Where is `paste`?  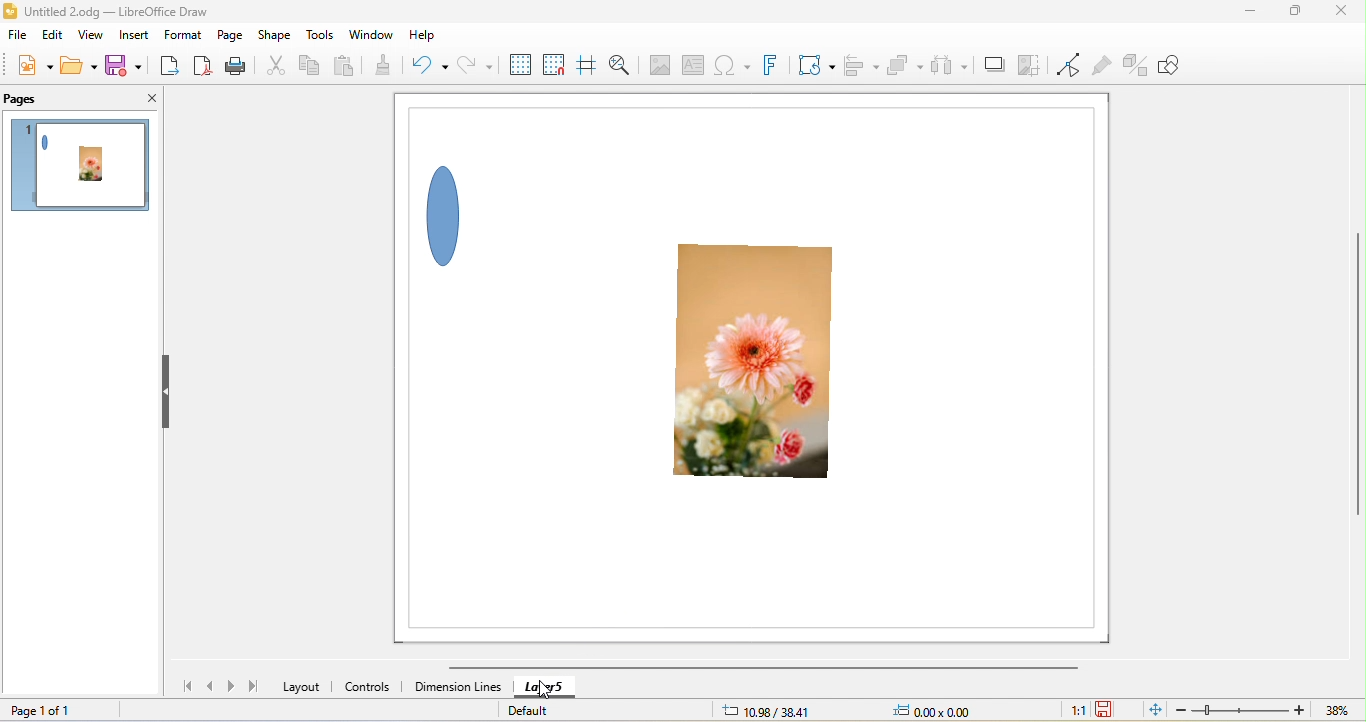
paste is located at coordinates (348, 63).